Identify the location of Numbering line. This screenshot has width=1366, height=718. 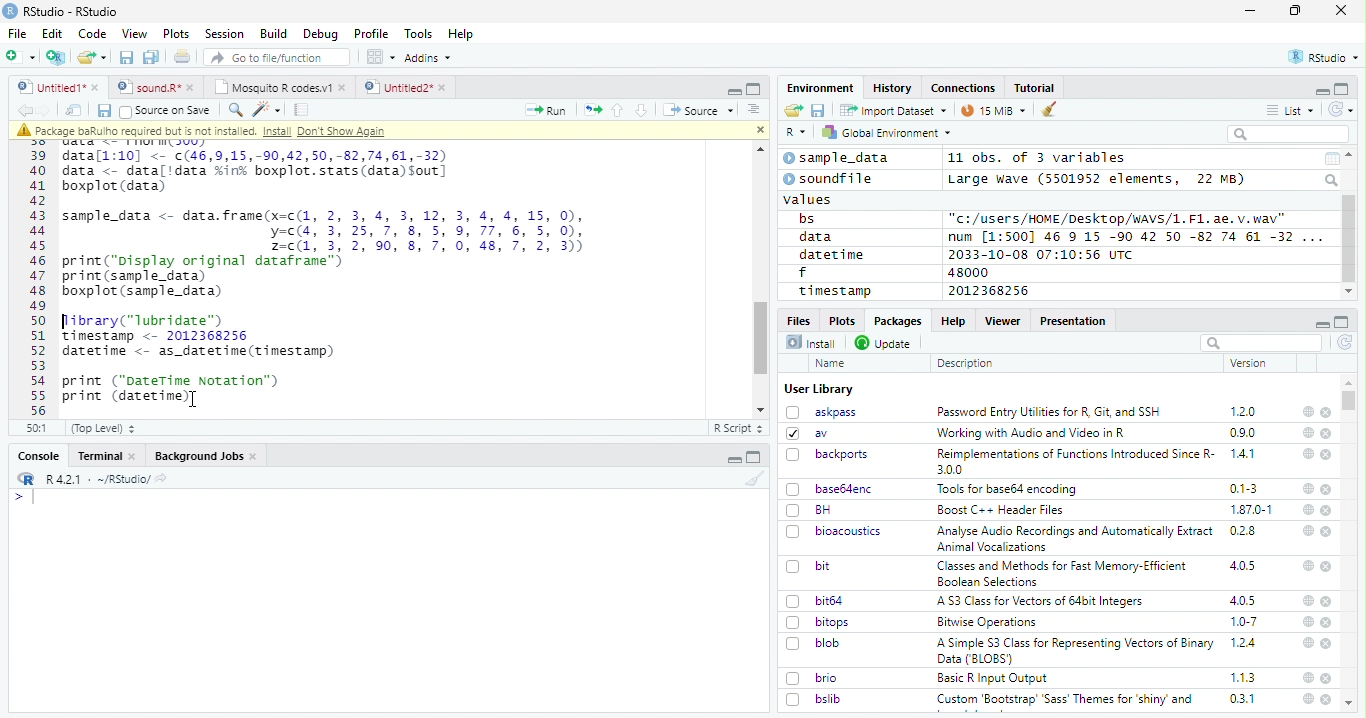
(39, 282).